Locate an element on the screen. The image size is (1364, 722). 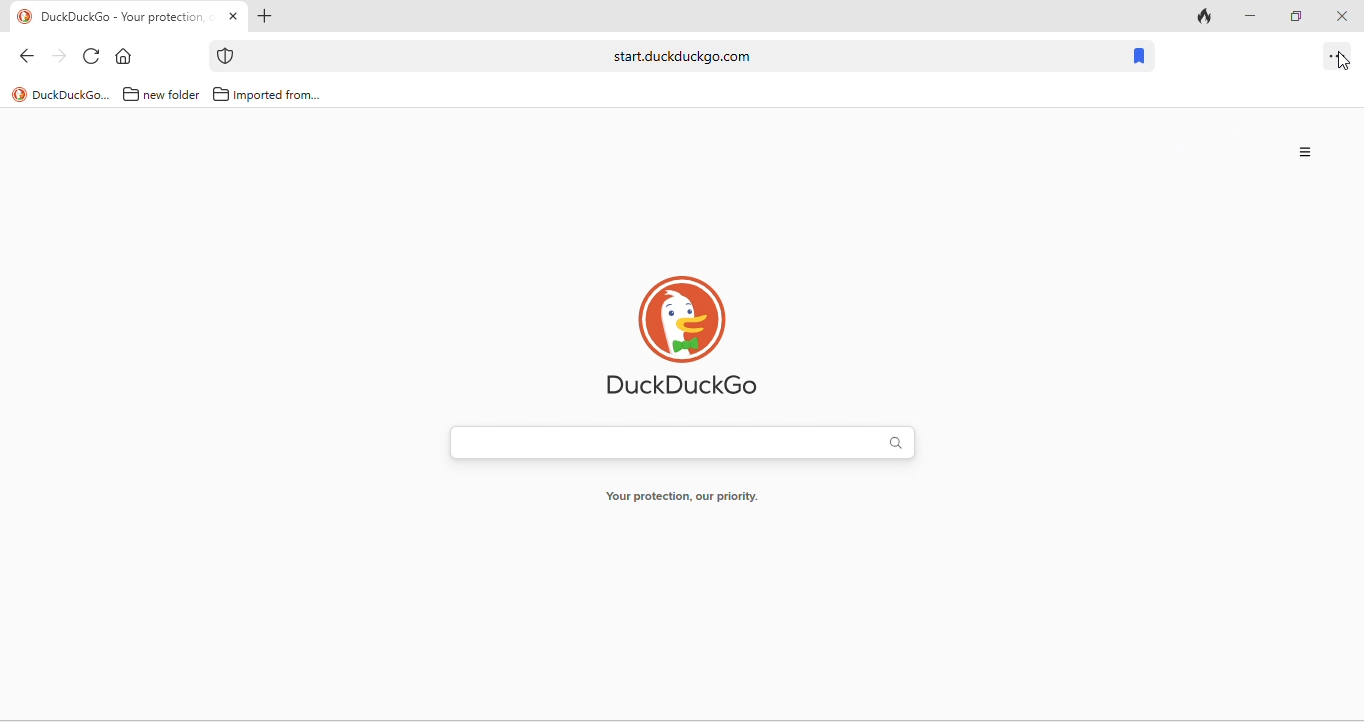
track tab is located at coordinates (1206, 15).